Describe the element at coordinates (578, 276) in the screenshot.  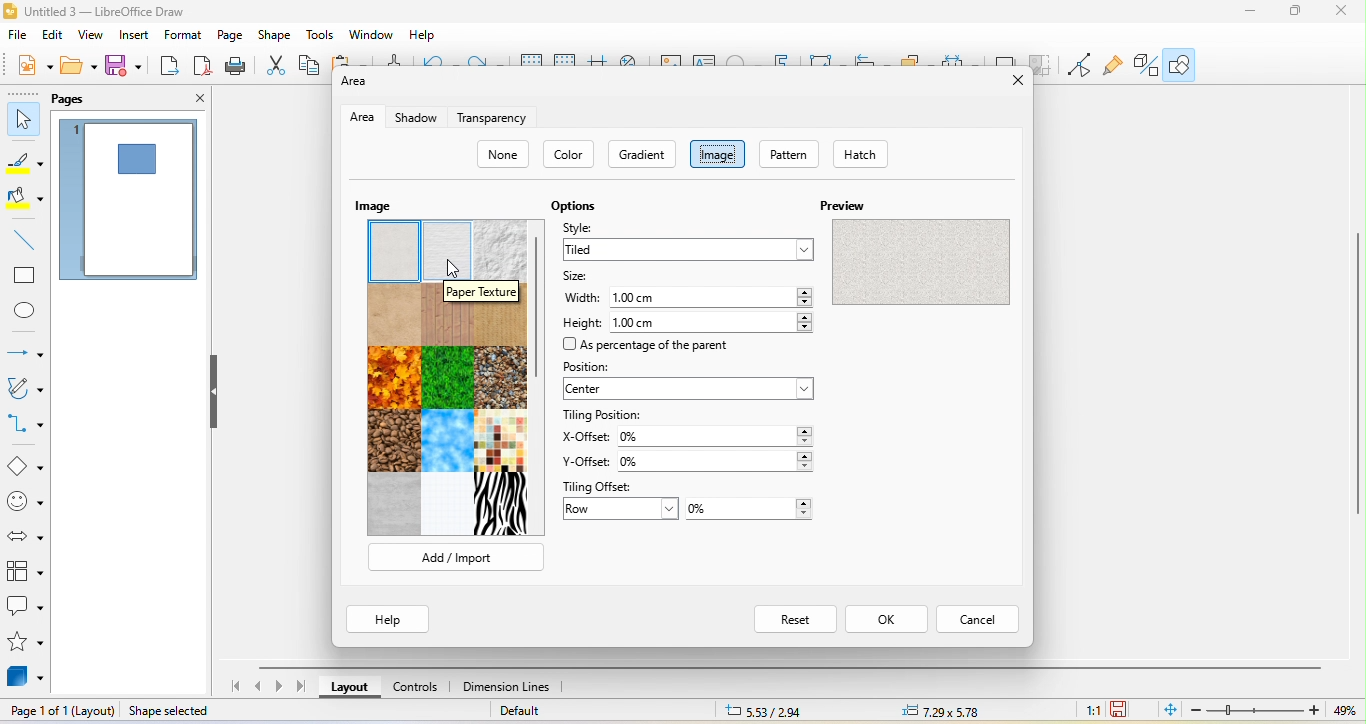
I see `size` at that location.